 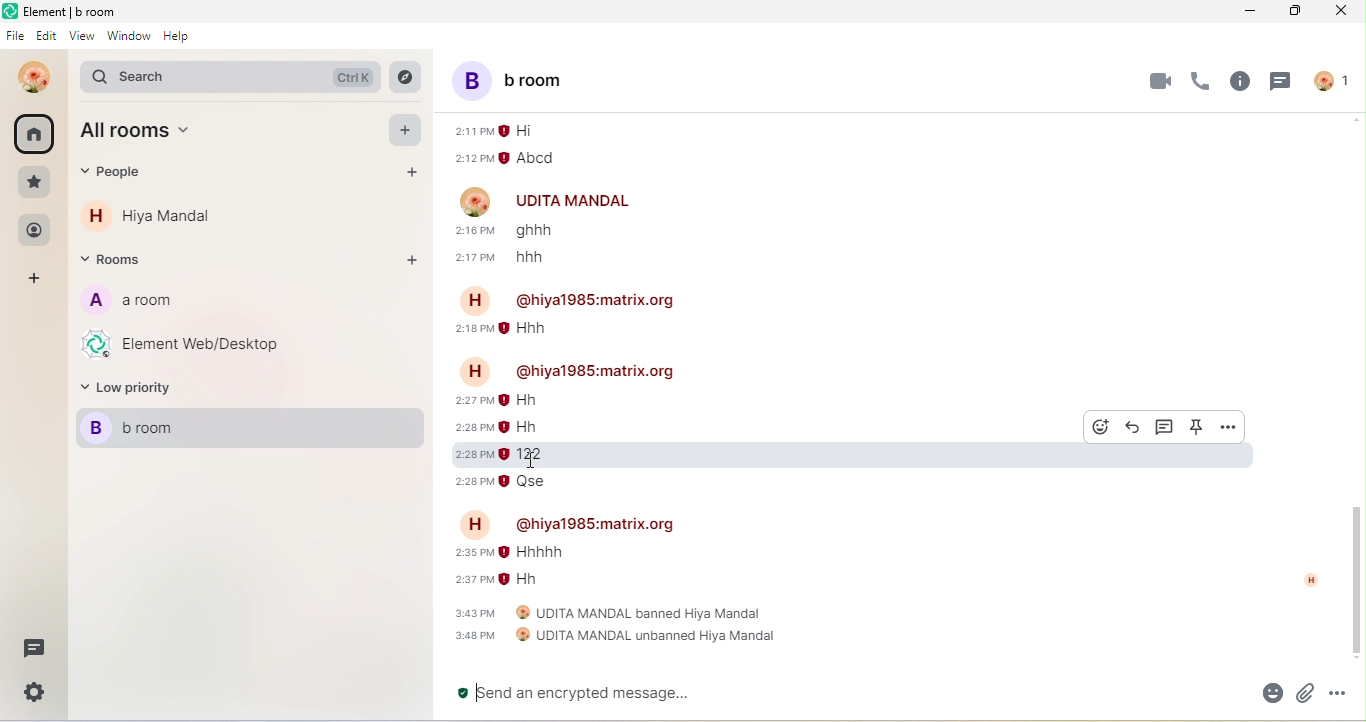 I want to click on low priority, so click(x=140, y=388).